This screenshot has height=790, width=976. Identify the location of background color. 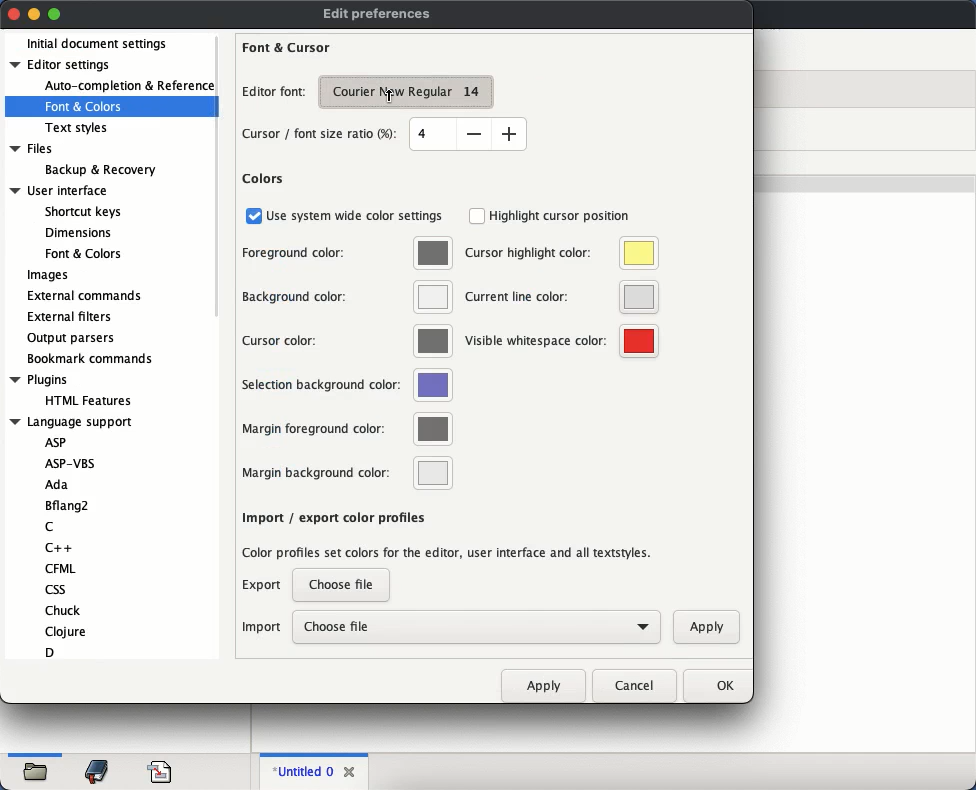
(347, 296).